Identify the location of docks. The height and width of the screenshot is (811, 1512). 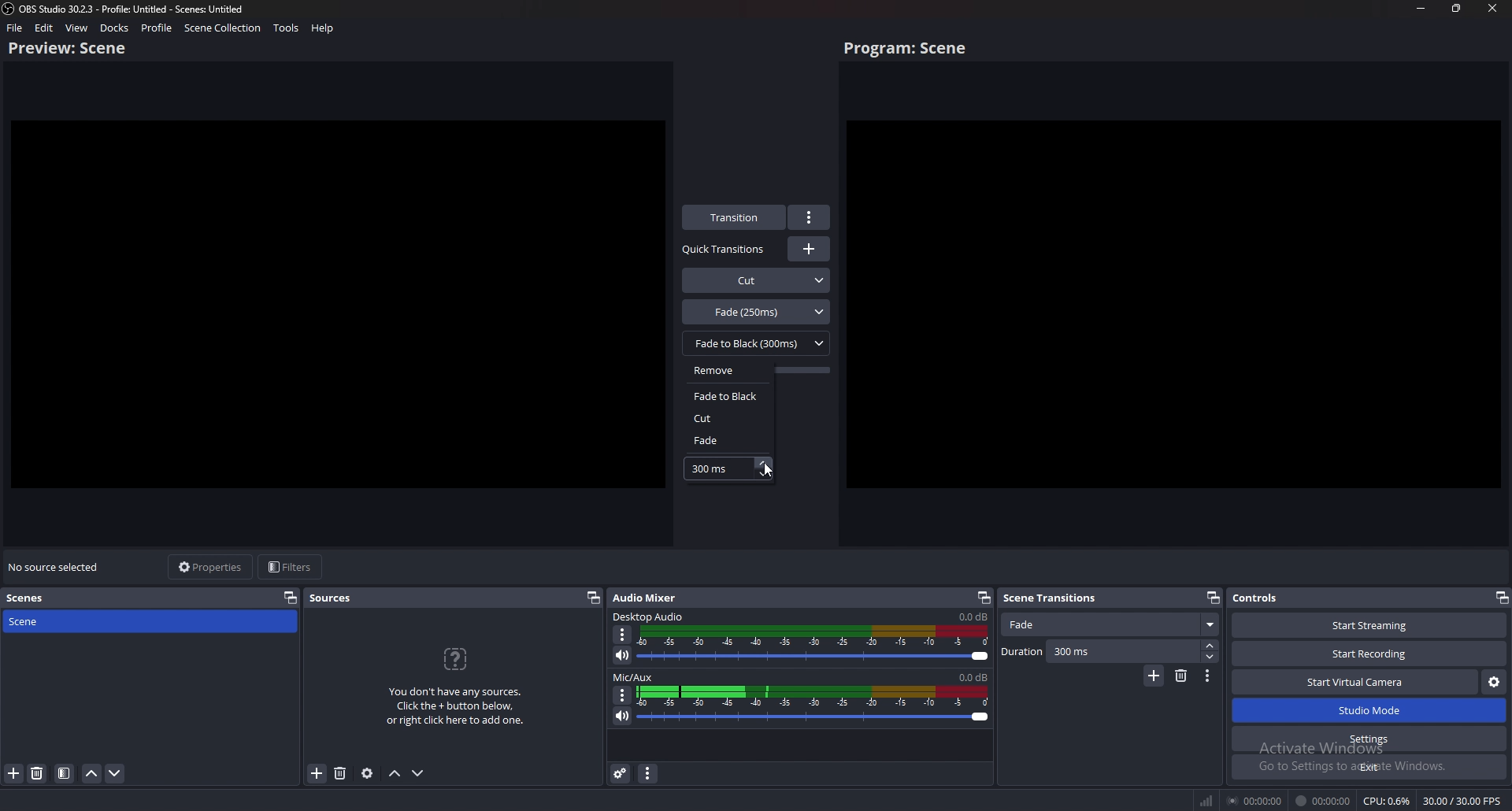
(114, 28).